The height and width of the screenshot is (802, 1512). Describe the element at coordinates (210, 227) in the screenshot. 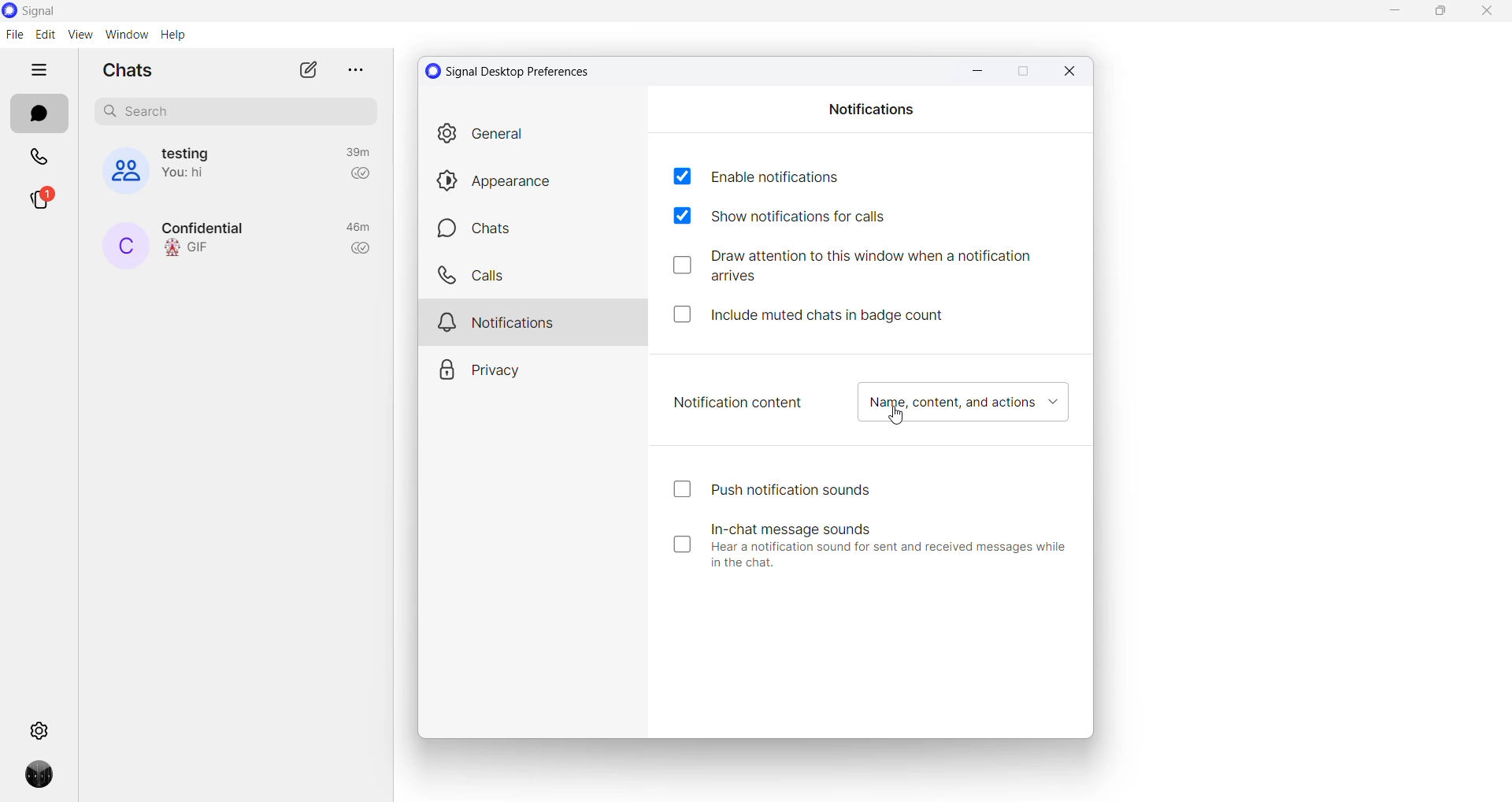

I see `contact name` at that location.